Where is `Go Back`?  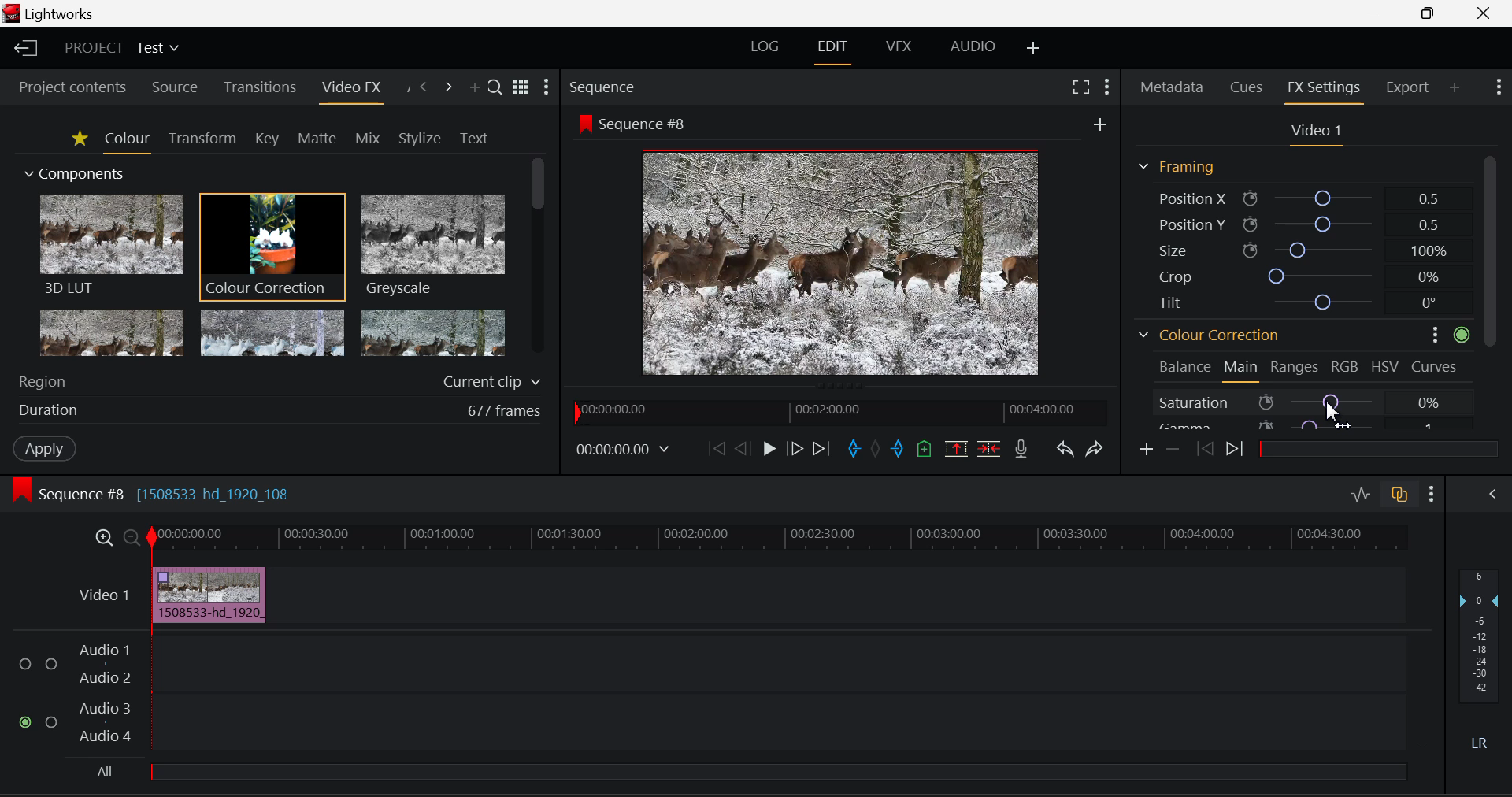 Go Back is located at coordinates (742, 449).